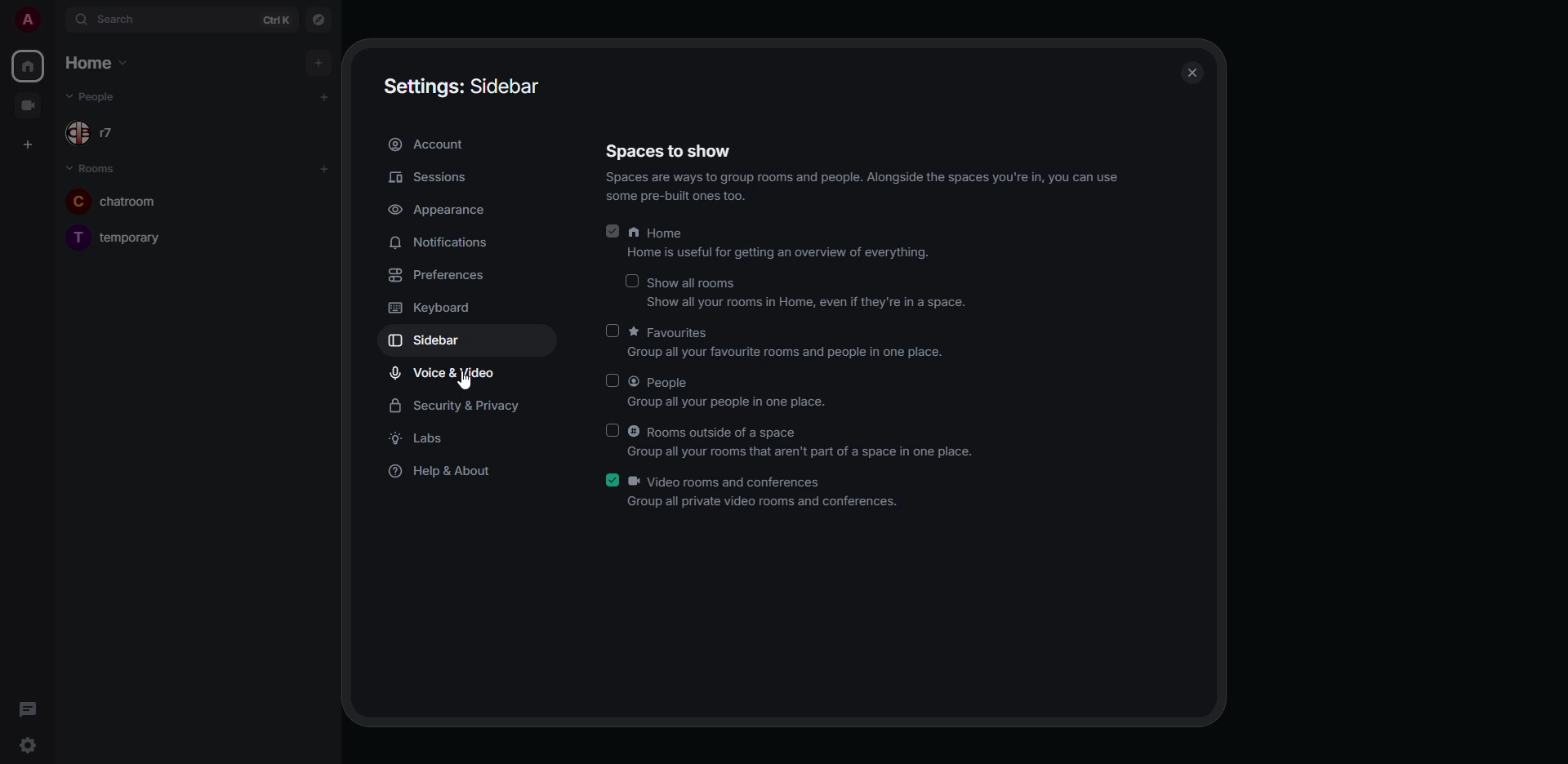  What do you see at coordinates (731, 392) in the screenshot?
I see `people` at bounding box center [731, 392].